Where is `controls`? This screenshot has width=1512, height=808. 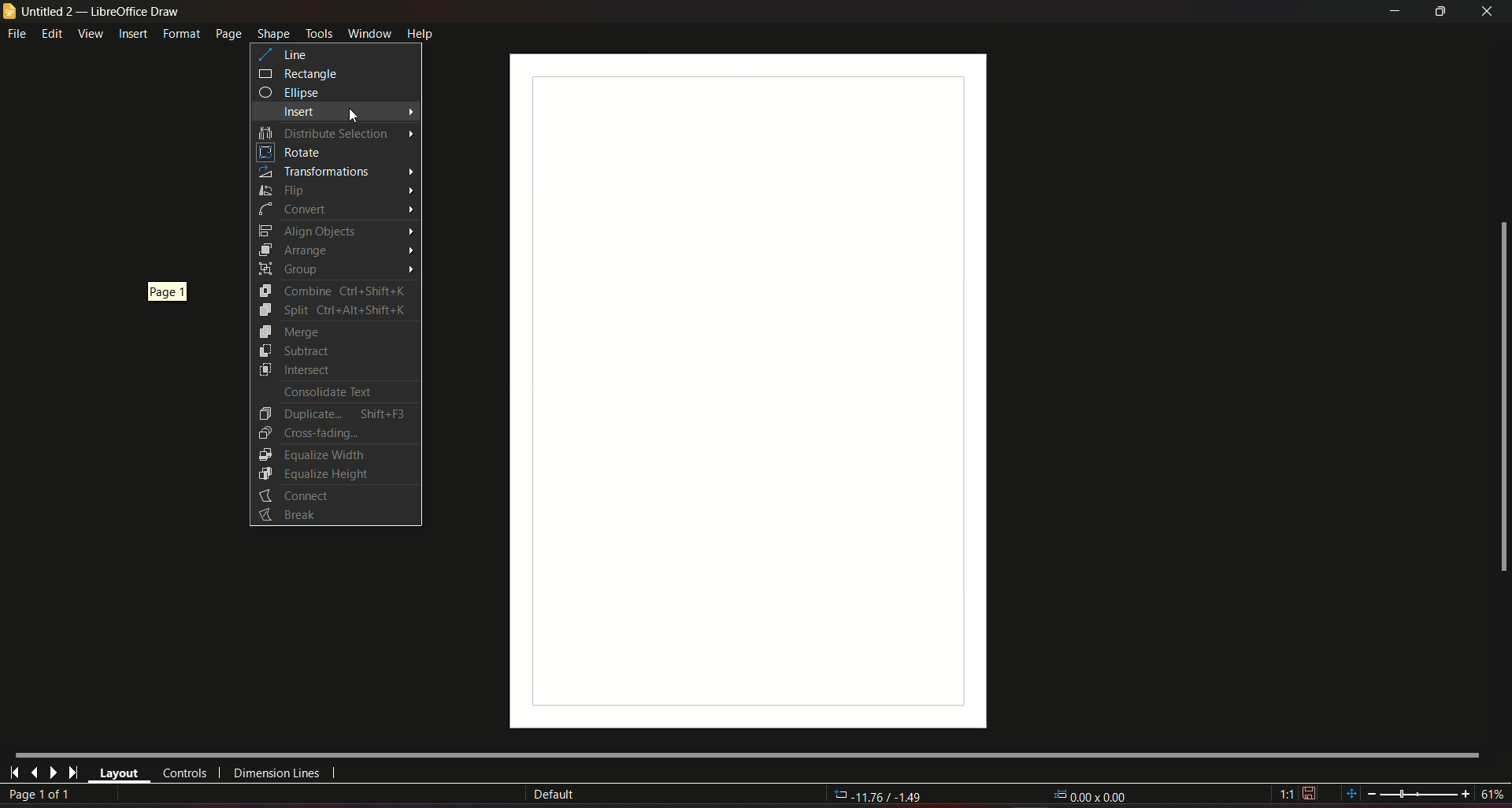
controls is located at coordinates (183, 773).